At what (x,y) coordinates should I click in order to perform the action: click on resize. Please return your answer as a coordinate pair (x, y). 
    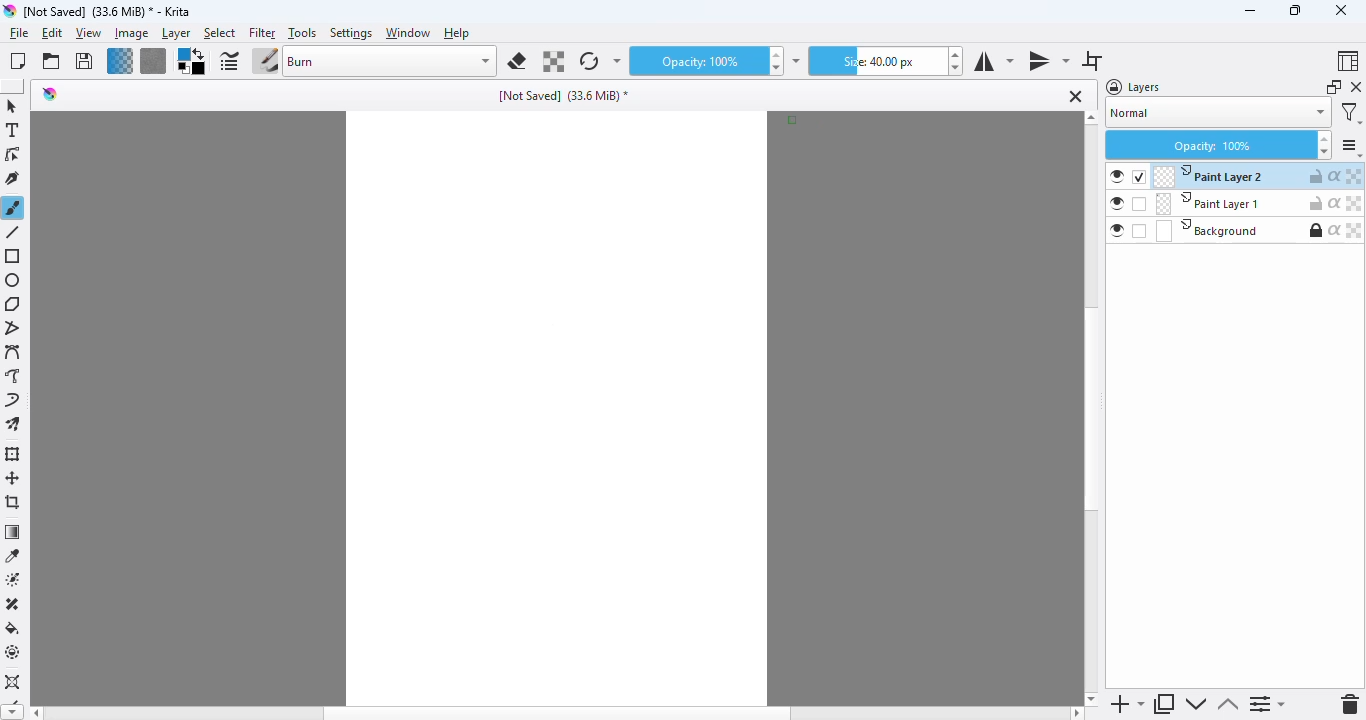
    Looking at the image, I should click on (1293, 10).